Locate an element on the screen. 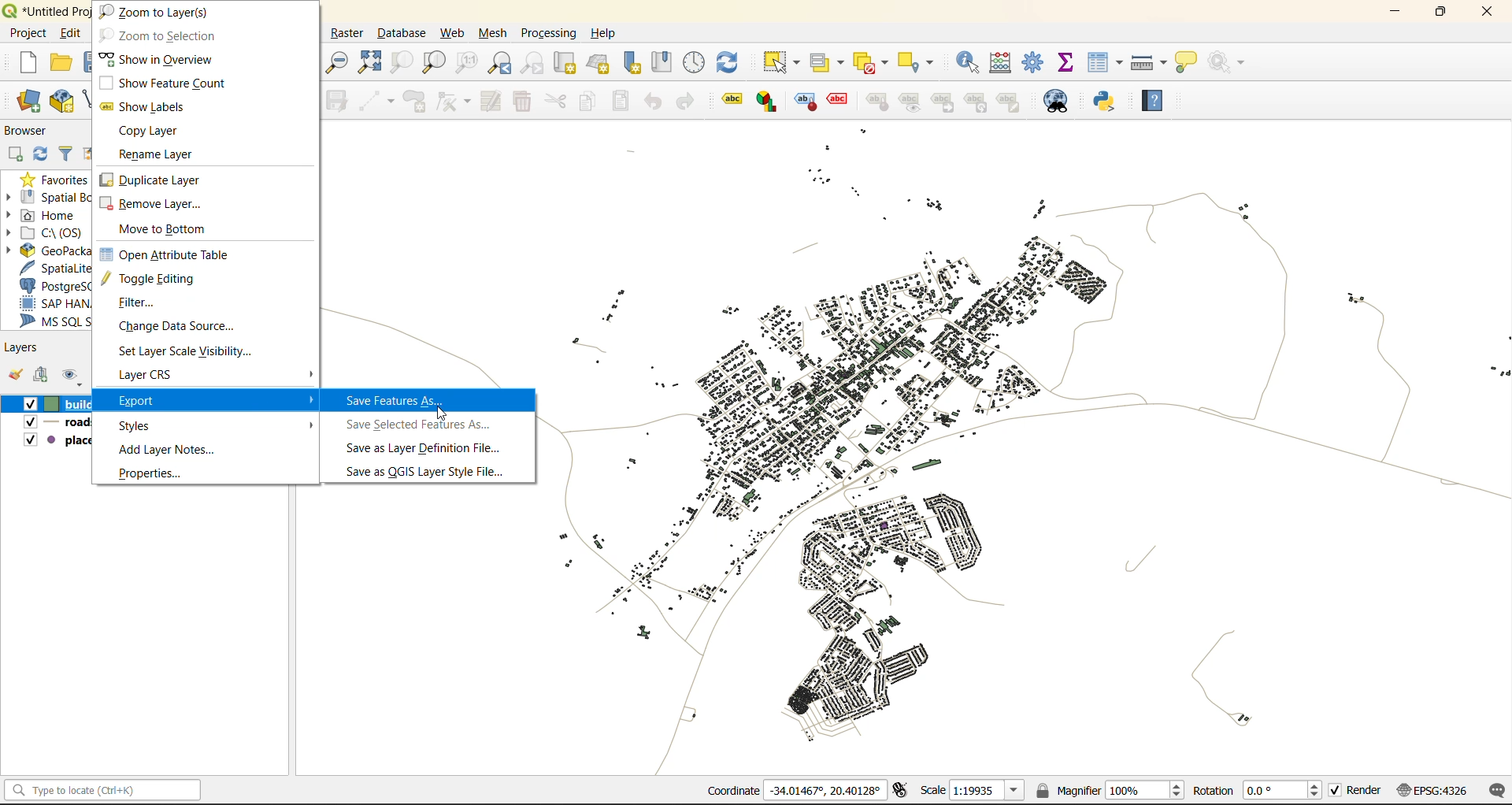 The width and height of the screenshot is (1512, 805). deselect value is located at coordinates (874, 63).